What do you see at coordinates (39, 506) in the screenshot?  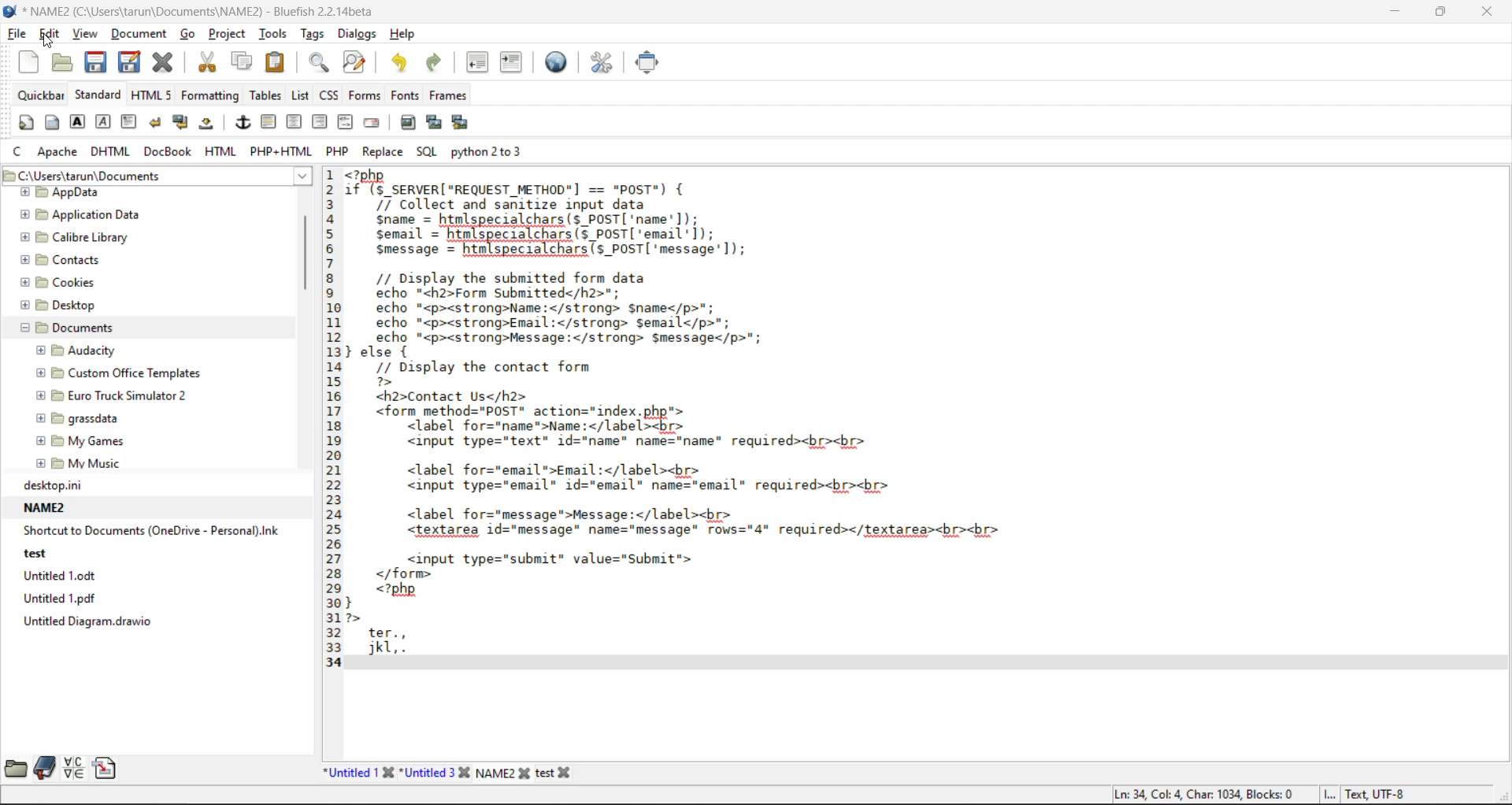 I see `NAME2` at bounding box center [39, 506].